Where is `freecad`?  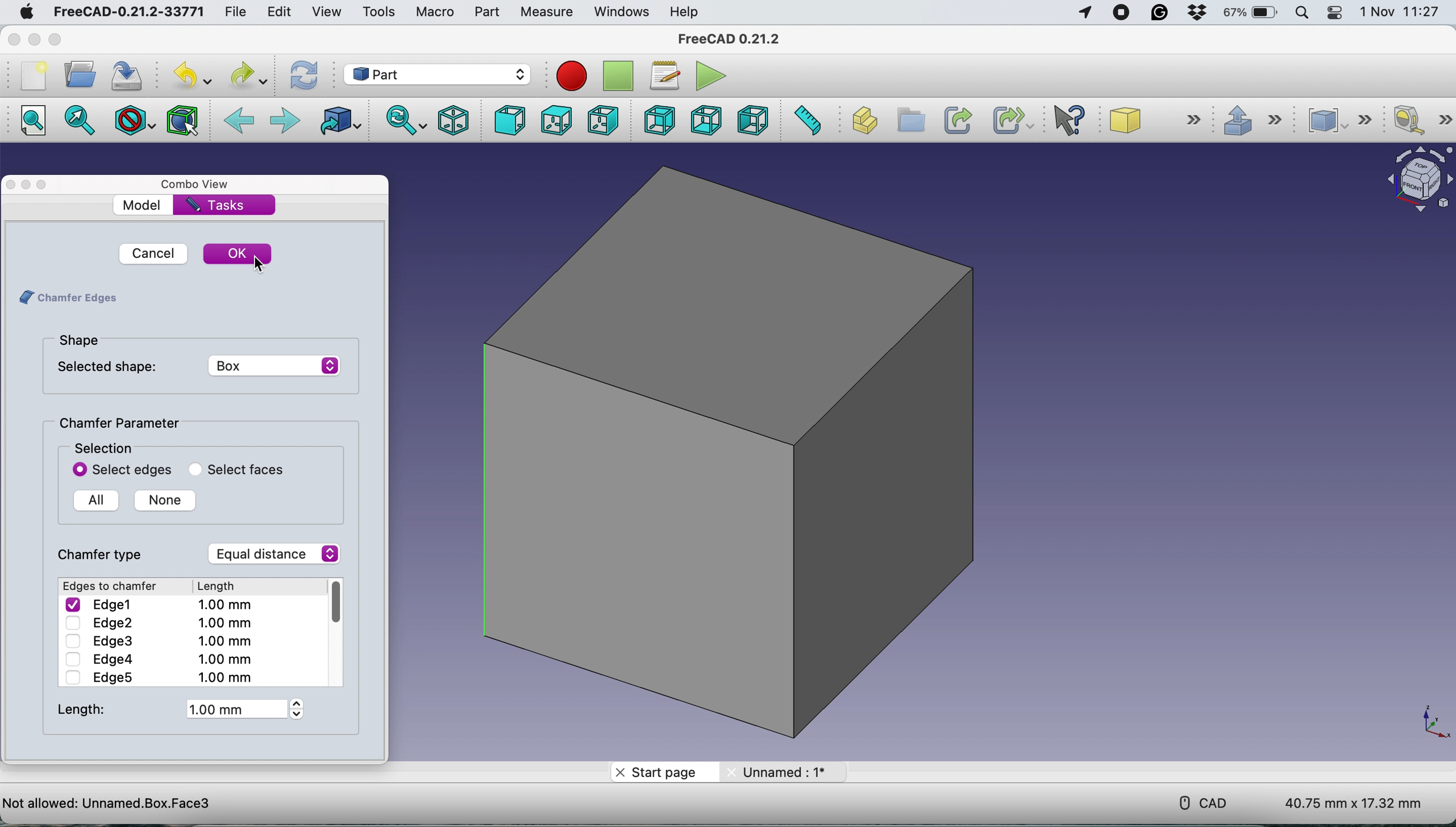
freecad is located at coordinates (738, 40).